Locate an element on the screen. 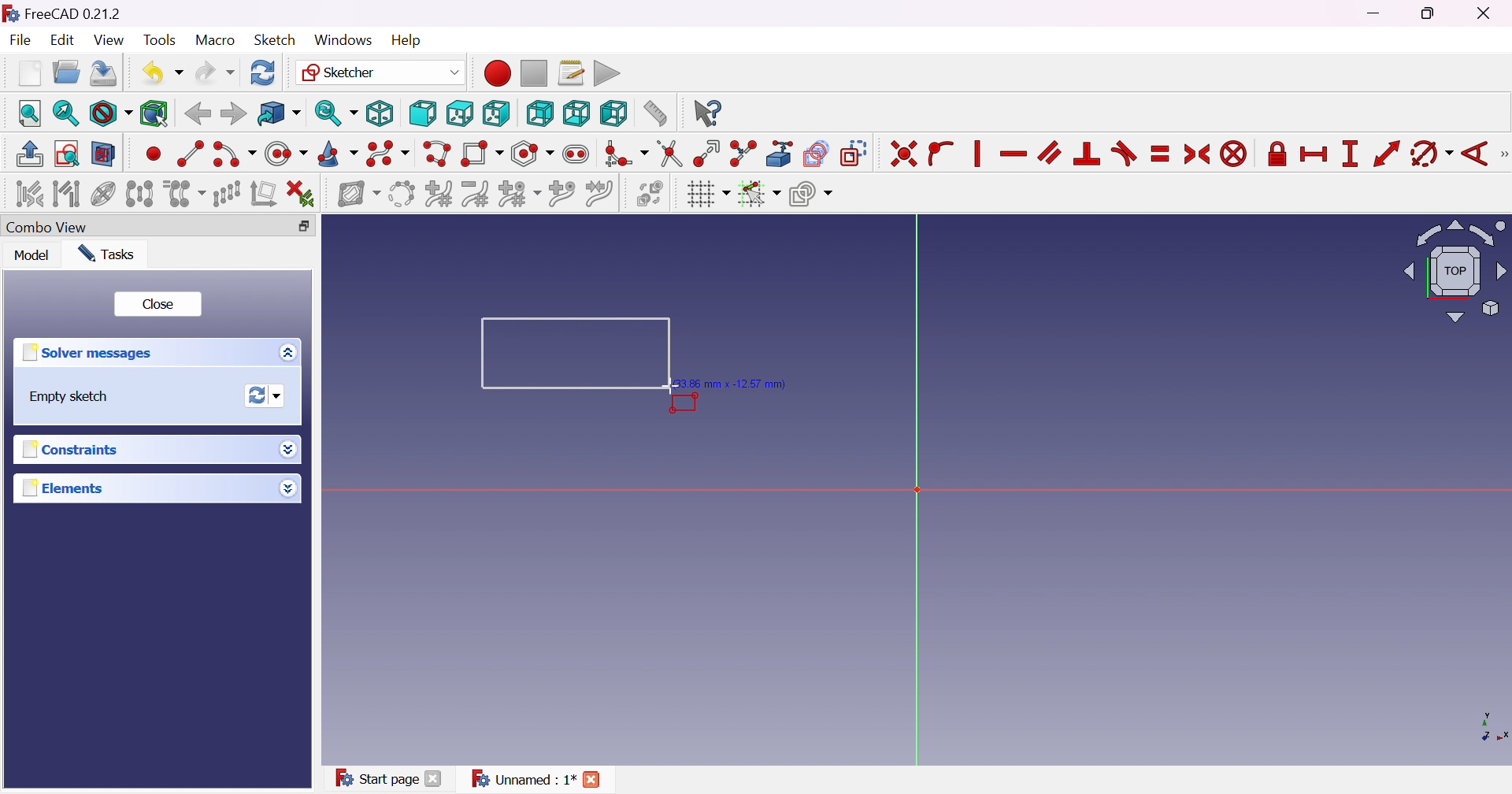 The height and width of the screenshot is (794, 1512). Combo is located at coordinates (51, 228).